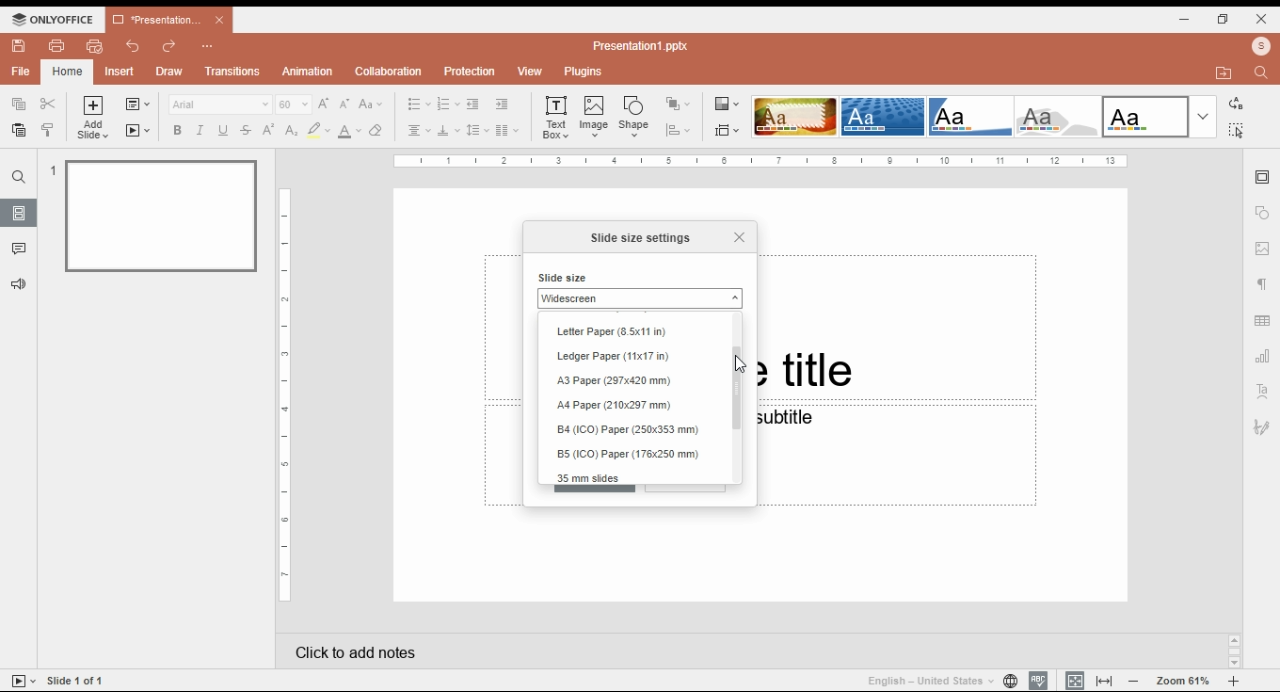 The width and height of the screenshot is (1280, 692). I want to click on font color, so click(351, 131).